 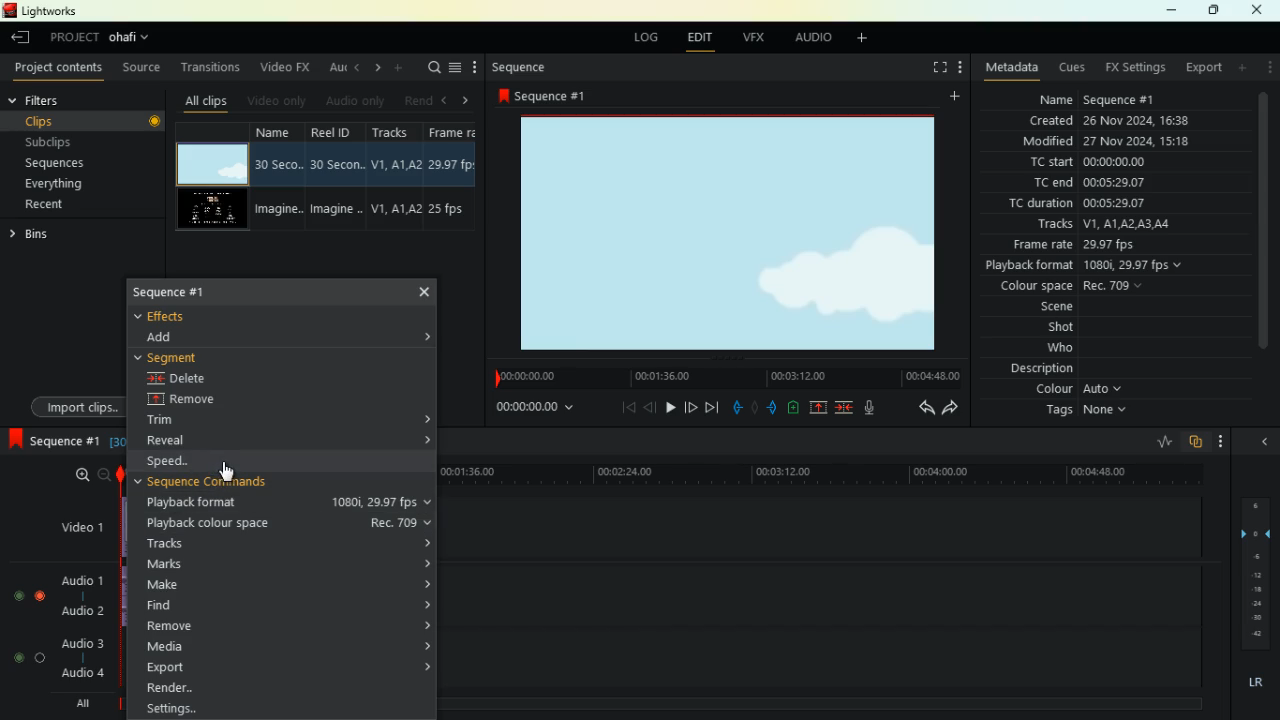 I want to click on video fx, so click(x=287, y=67).